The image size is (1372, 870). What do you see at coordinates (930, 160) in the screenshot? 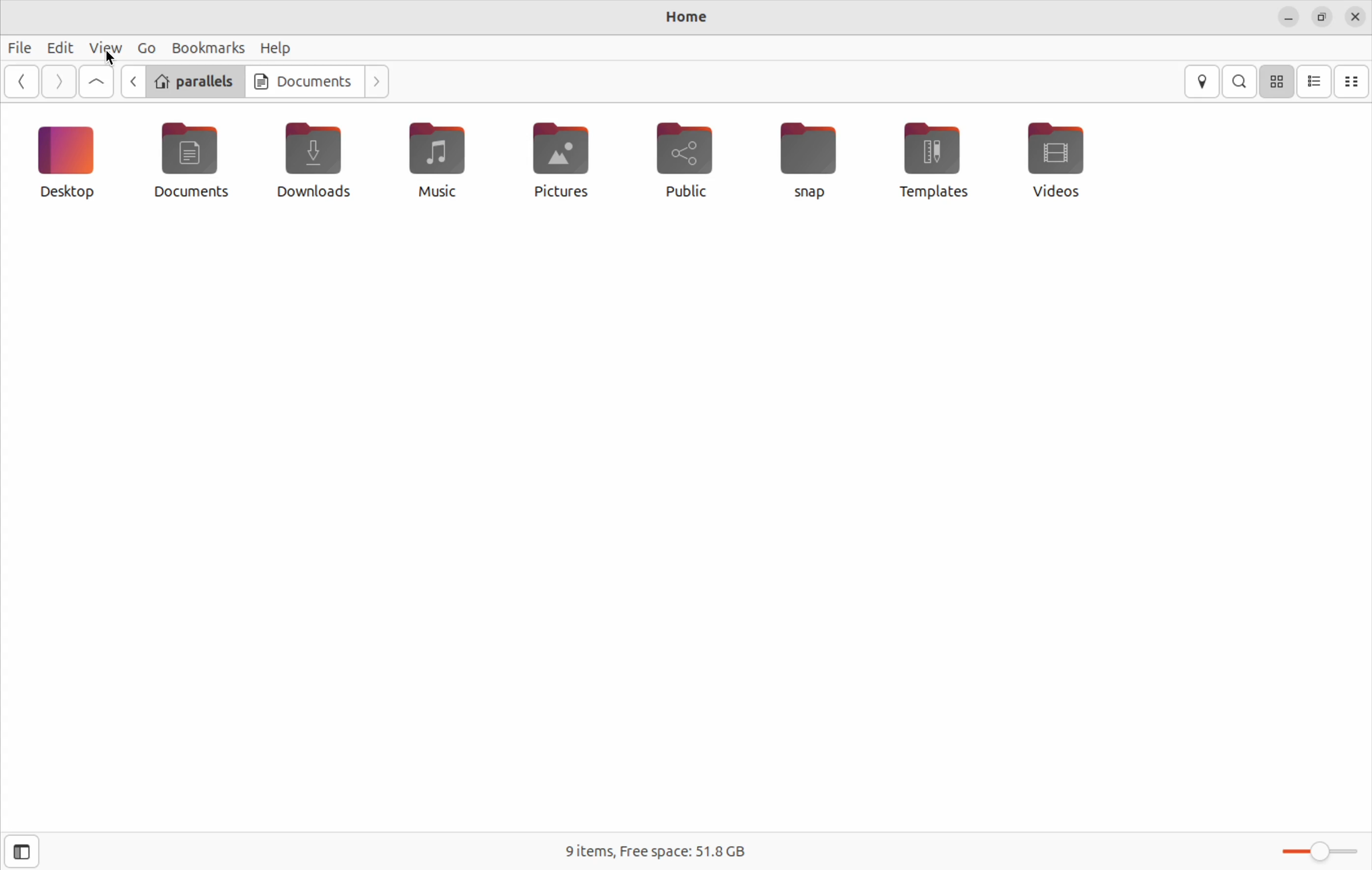
I see `templates` at bounding box center [930, 160].